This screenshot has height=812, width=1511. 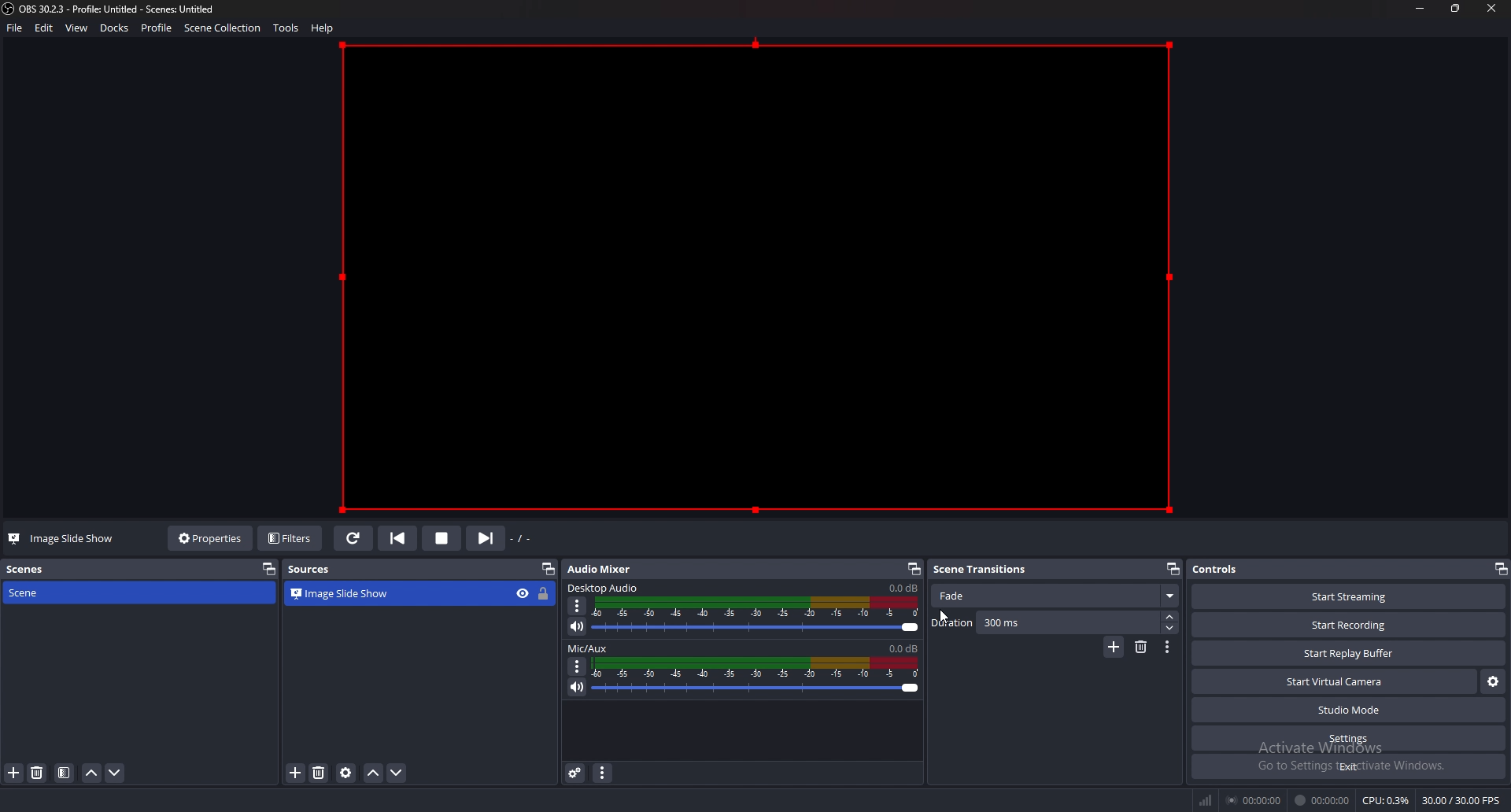 I want to click on configure virtual camera, so click(x=1494, y=682).